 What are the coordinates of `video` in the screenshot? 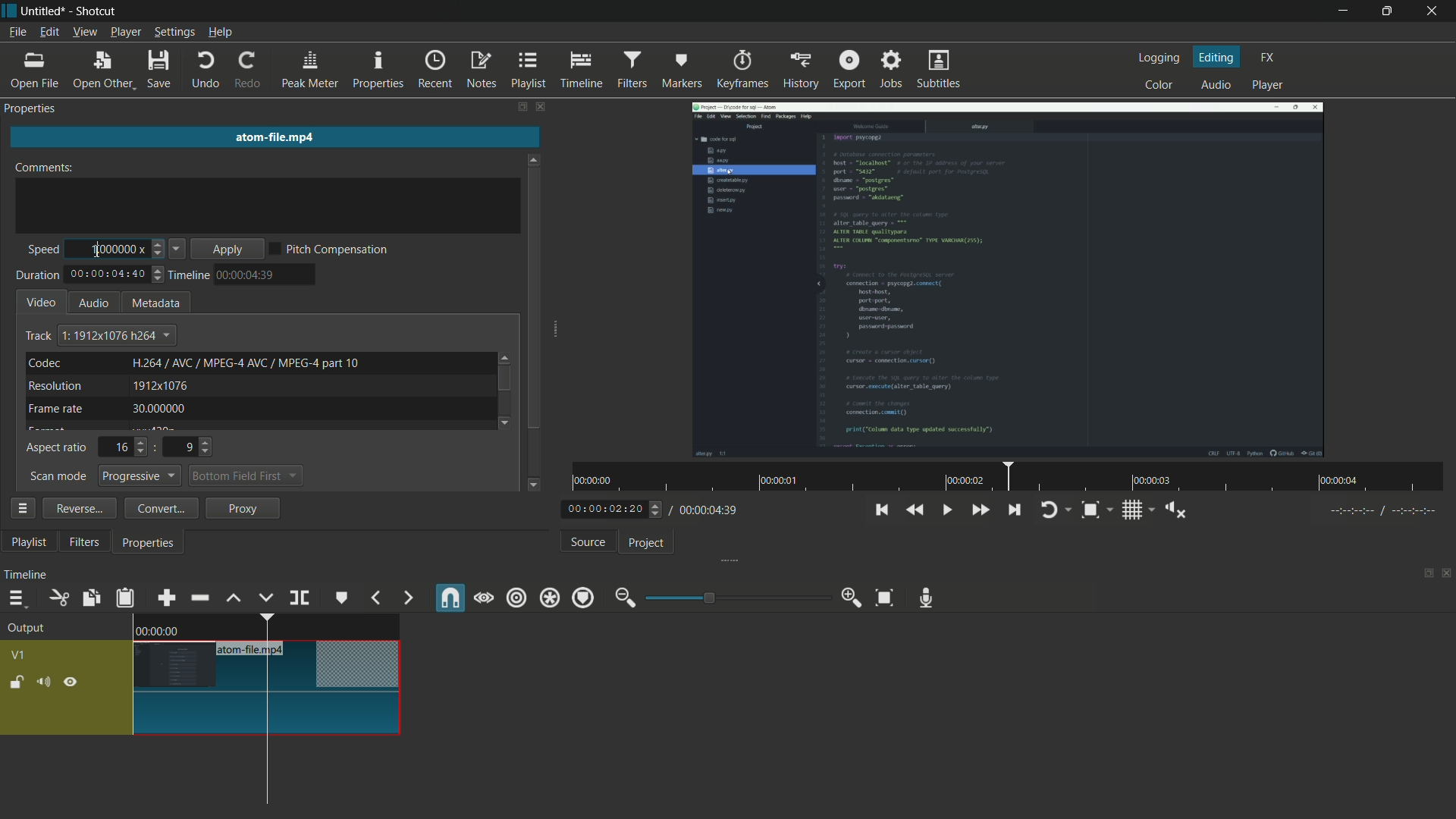 It's located at (42, 302).